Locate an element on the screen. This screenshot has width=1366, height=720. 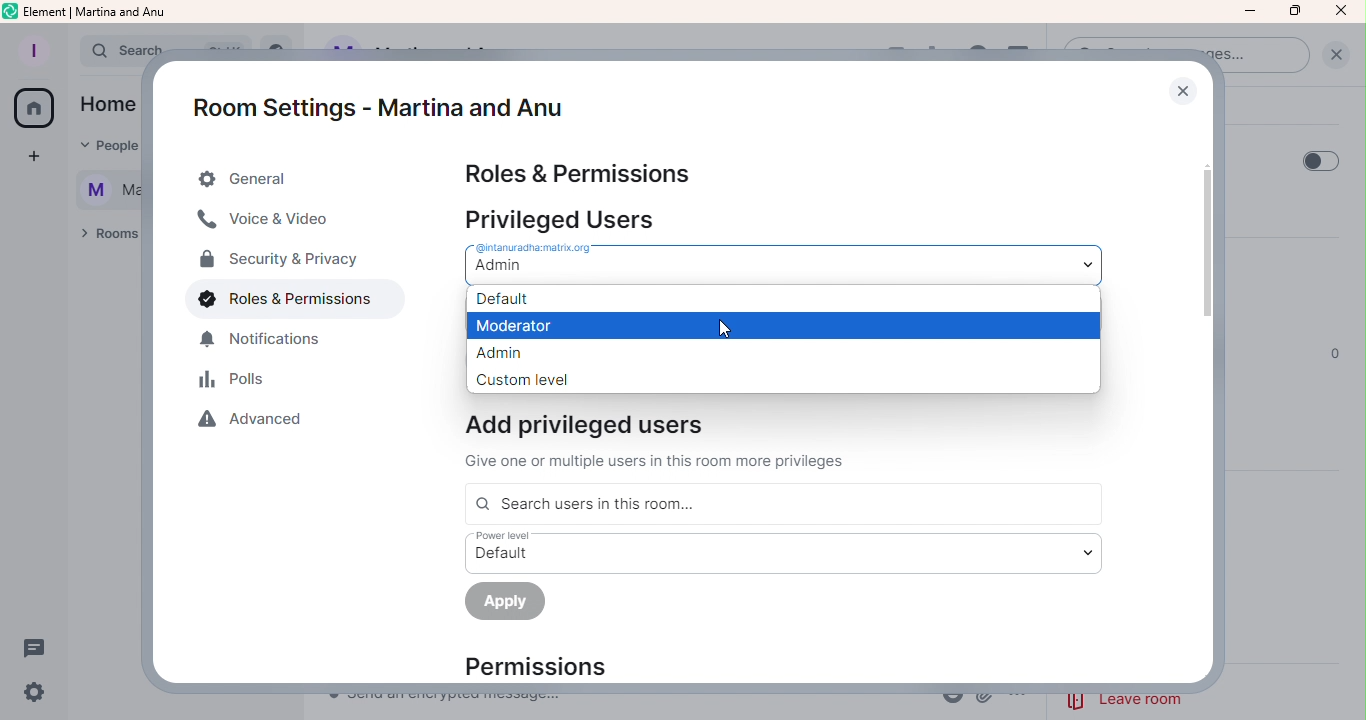
Power level is located at coordinates (781, 552).